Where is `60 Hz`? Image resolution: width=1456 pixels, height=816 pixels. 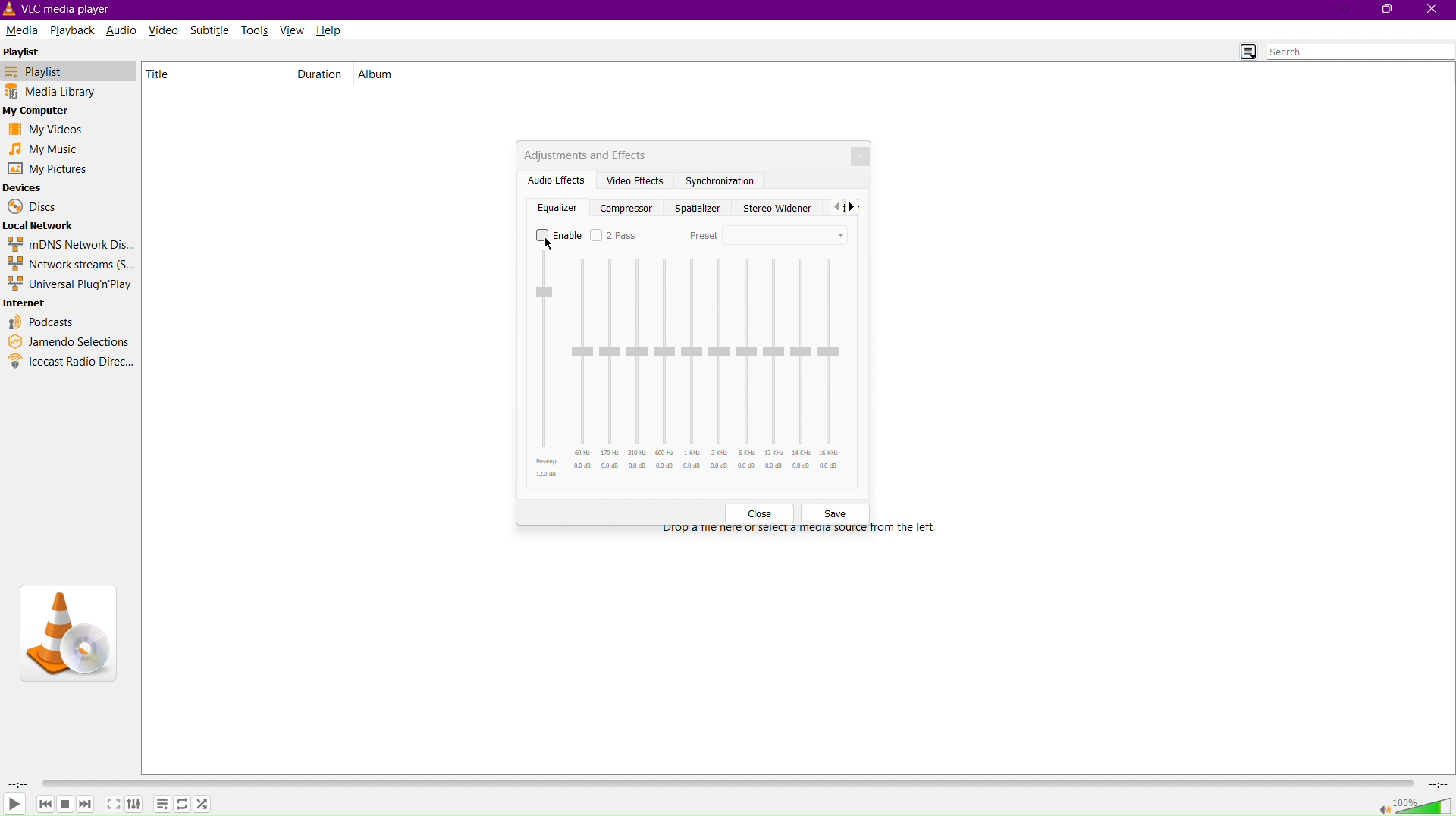 60 Hz is located at coordinates (579, 363).